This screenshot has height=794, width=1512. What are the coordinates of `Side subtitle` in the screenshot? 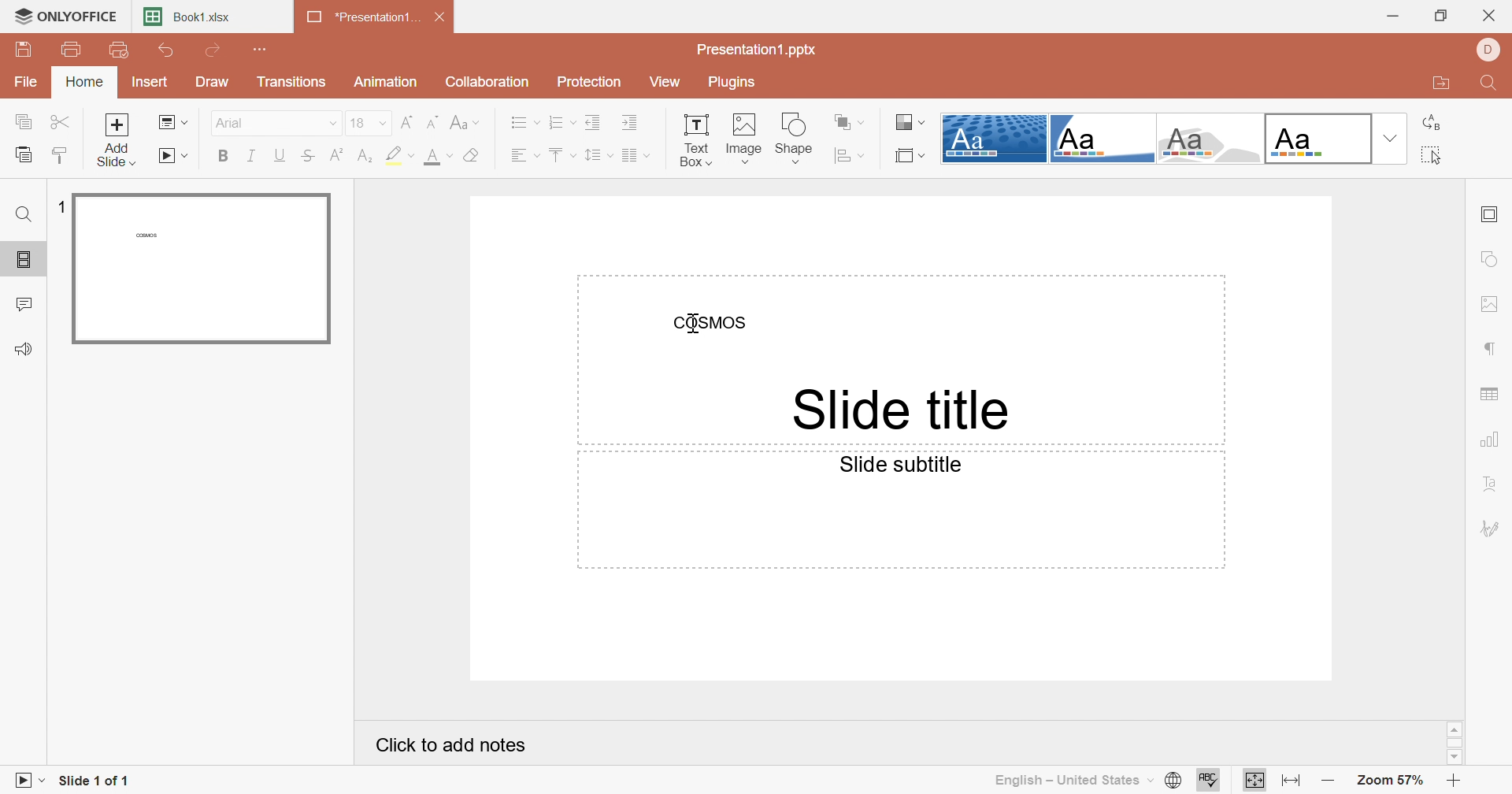 It's located at (897, 463).